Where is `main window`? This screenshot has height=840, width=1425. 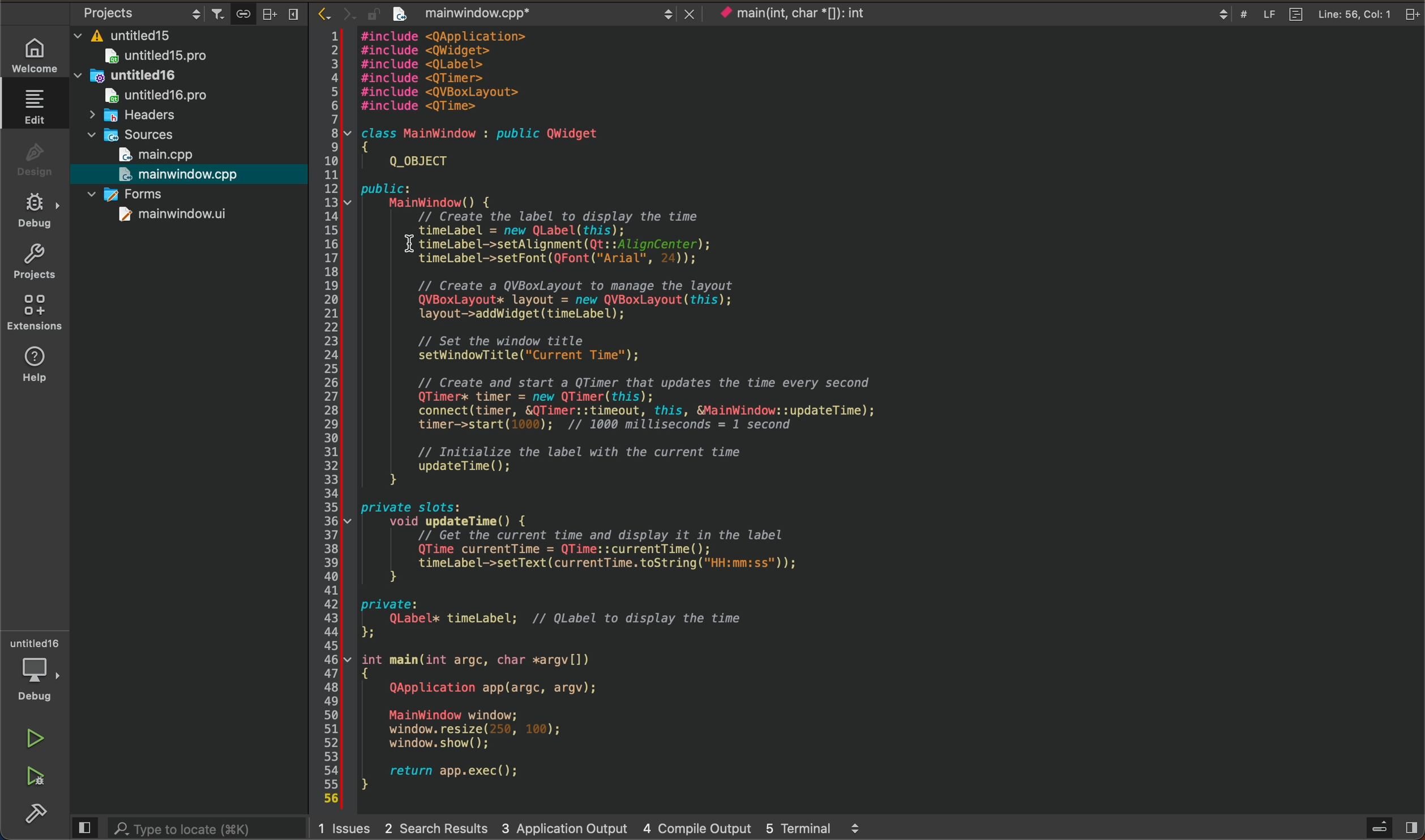
main window is located at coordinates (161, 218).